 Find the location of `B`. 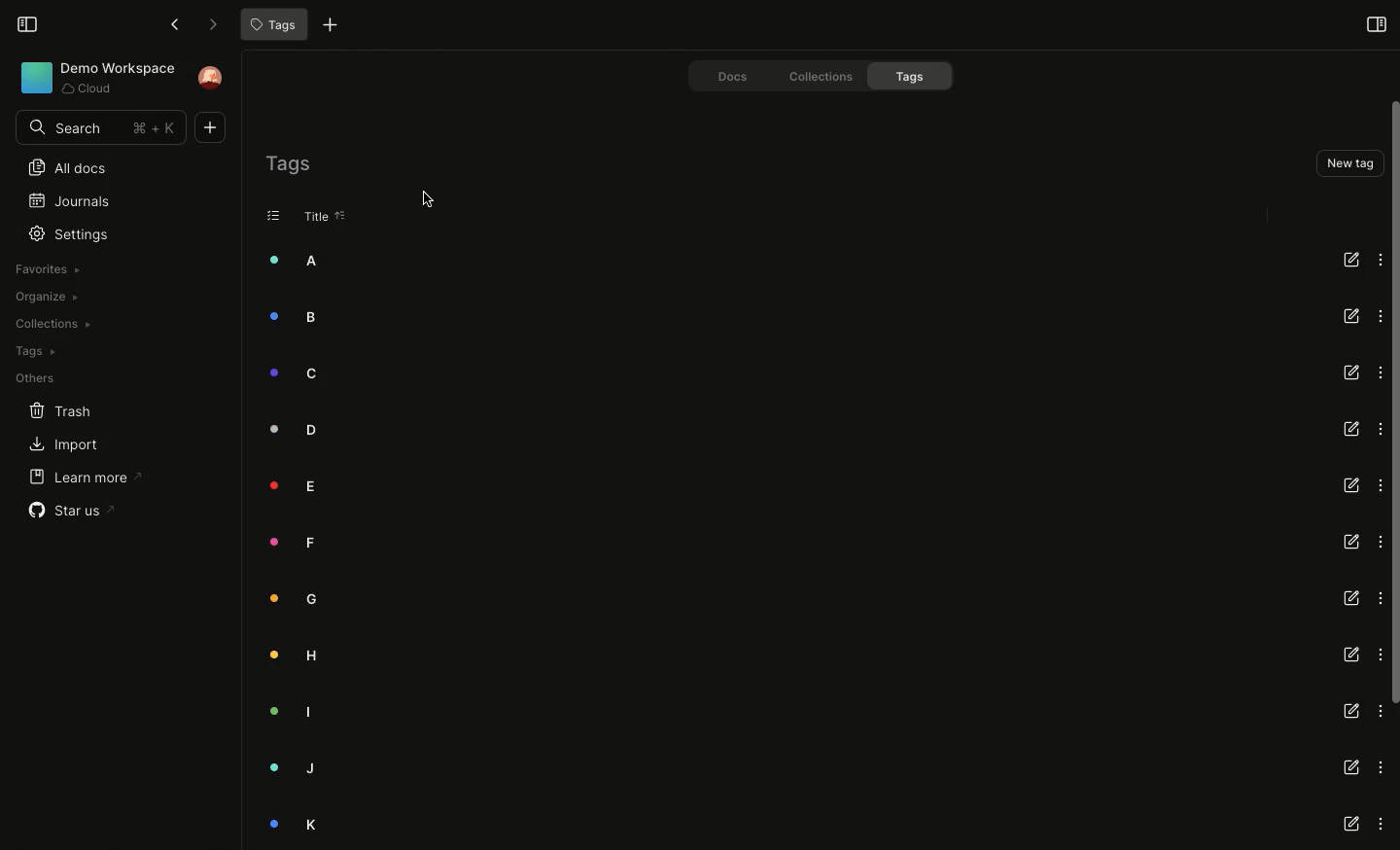

B is located at coordinates (297, 316).